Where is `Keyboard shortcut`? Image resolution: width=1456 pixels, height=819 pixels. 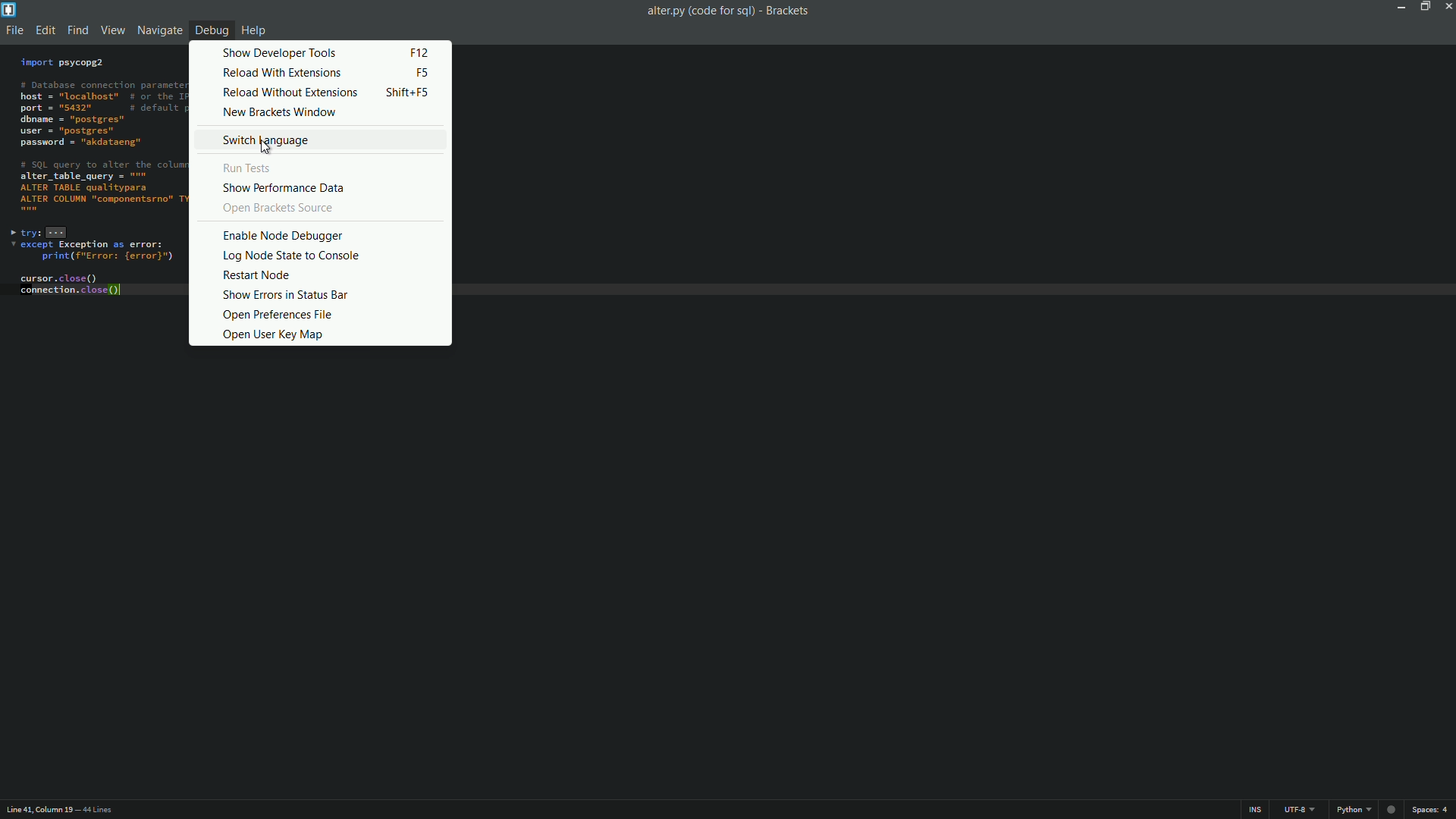
Keyboard shortcut is located at coordinates (422, 73).